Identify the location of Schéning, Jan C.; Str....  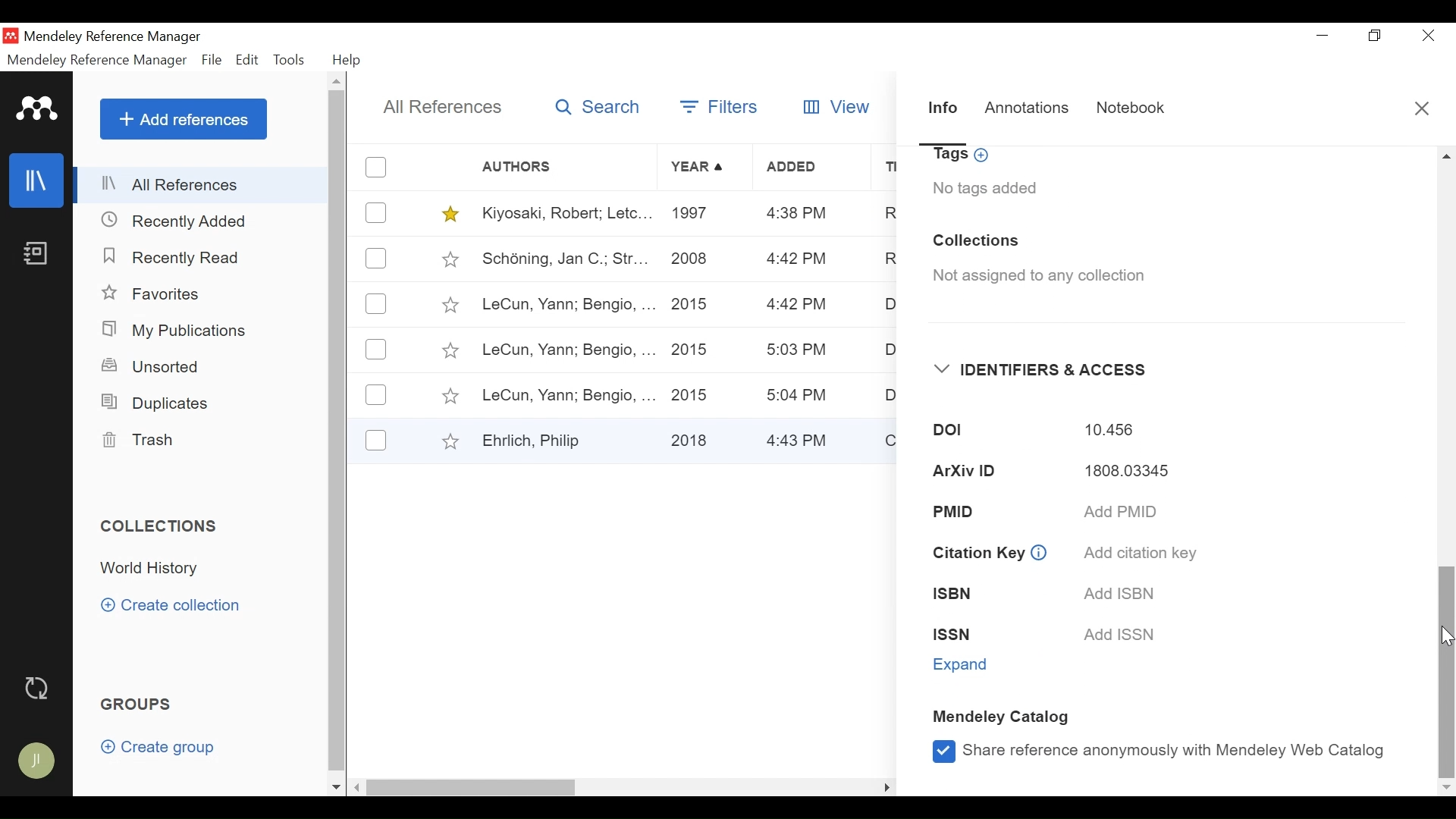
(563, 259).